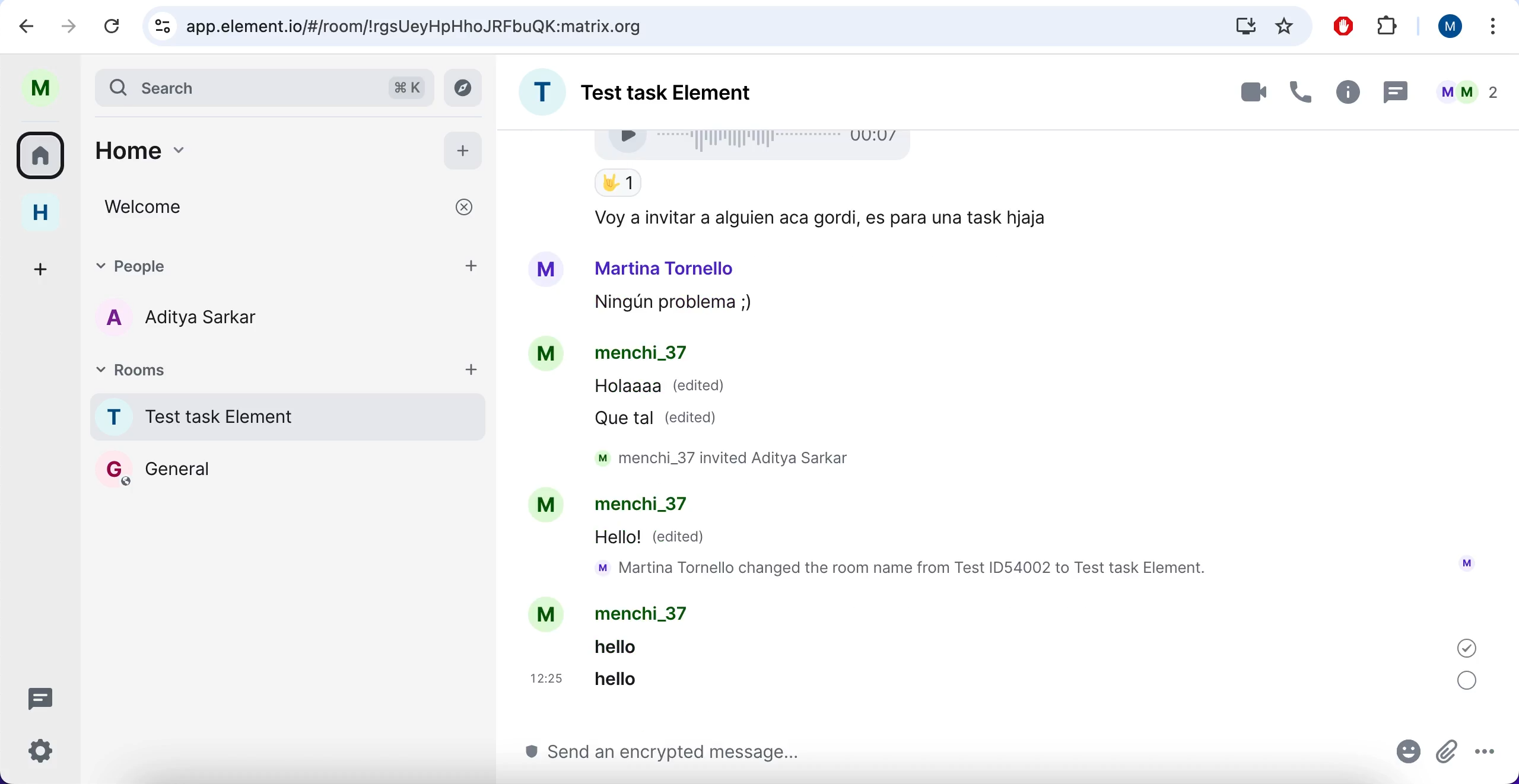 The image size is (1519, 784). Describe the element at coordinates (1297, 95) in the screenshot. I see `voice call` at that location.